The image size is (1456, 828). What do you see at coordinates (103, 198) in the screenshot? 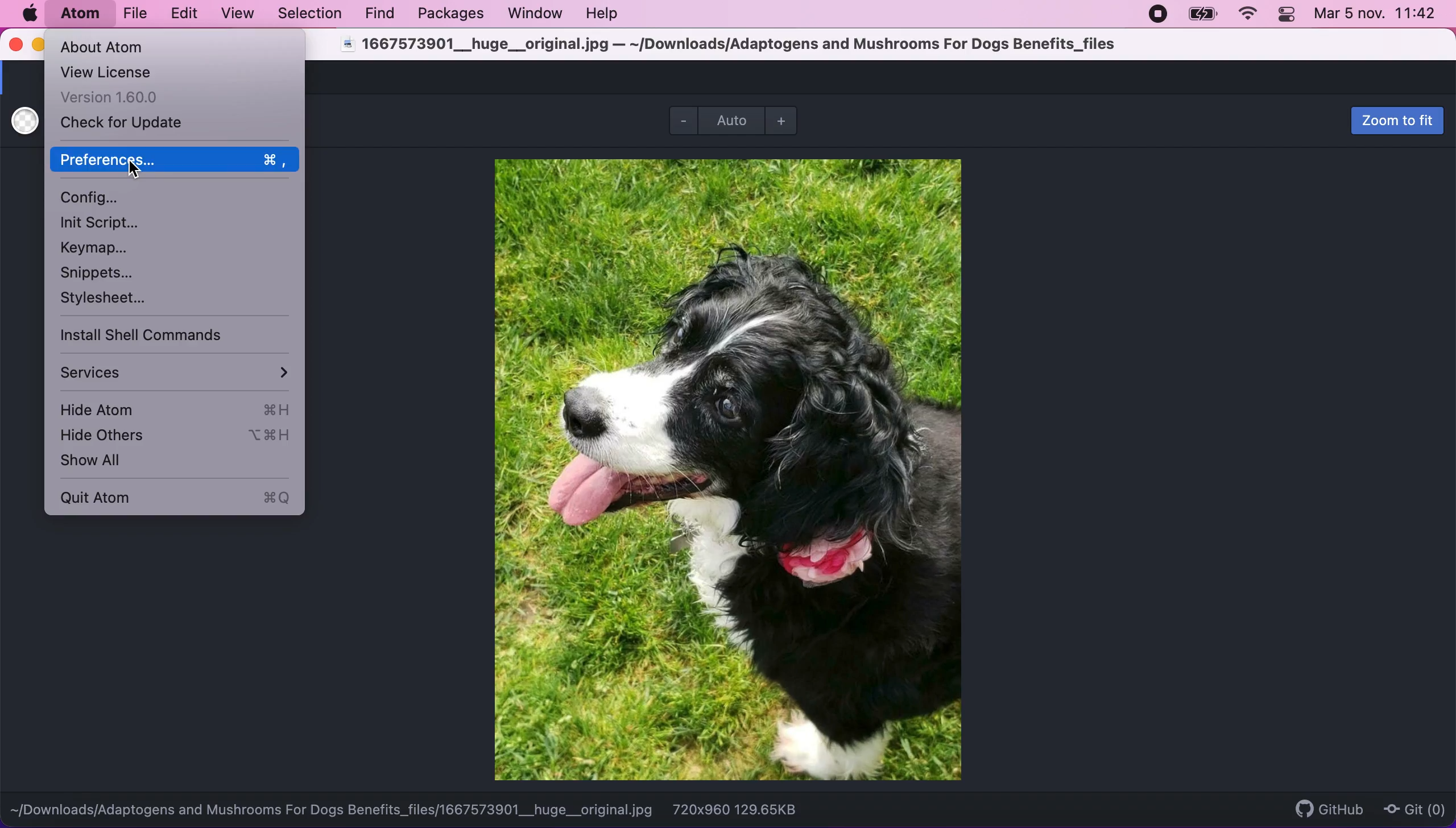
I see `configuration` at bounding box center [103, 198].